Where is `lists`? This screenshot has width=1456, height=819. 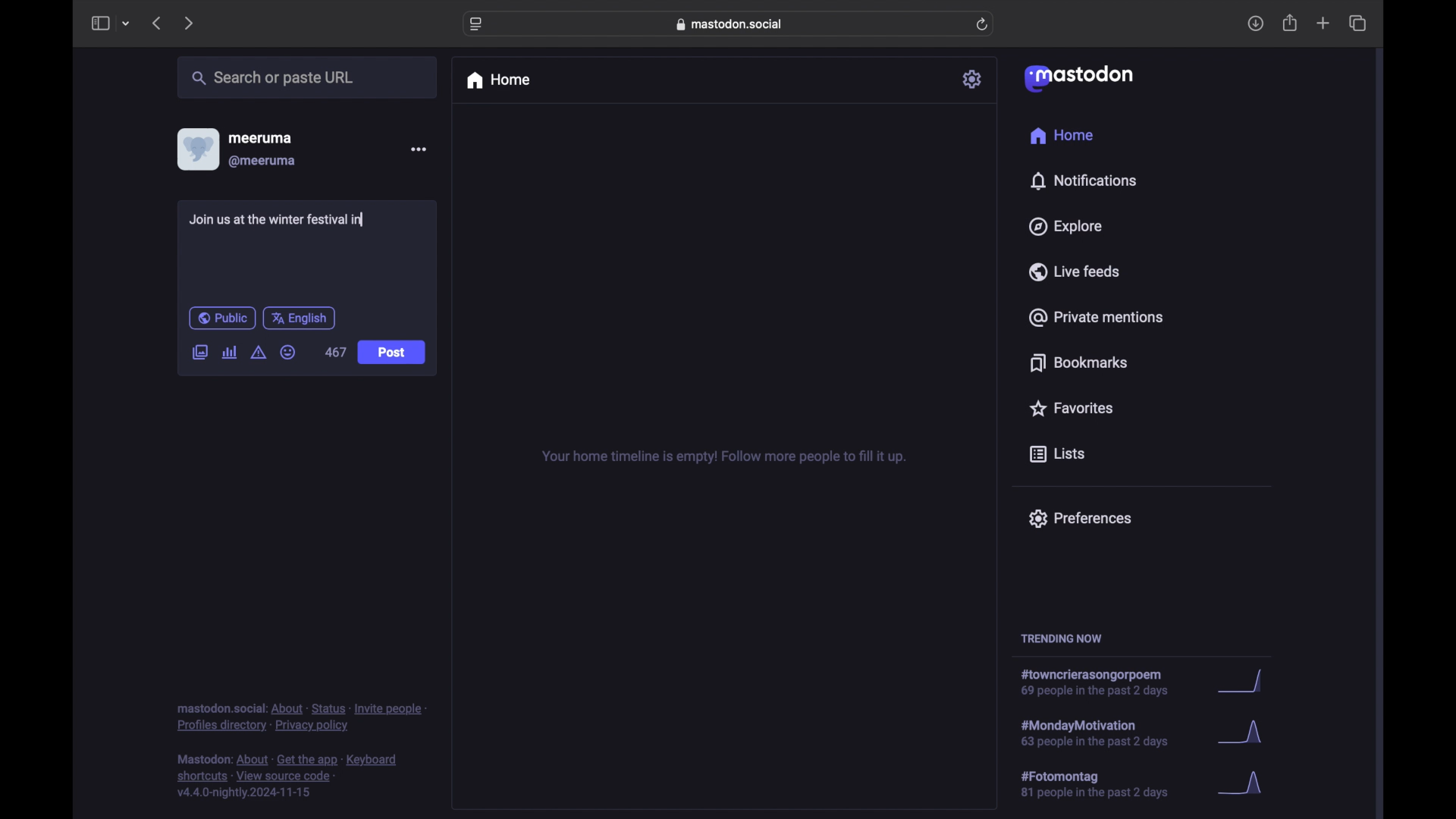 lists is located at coordinates (1057, 455).